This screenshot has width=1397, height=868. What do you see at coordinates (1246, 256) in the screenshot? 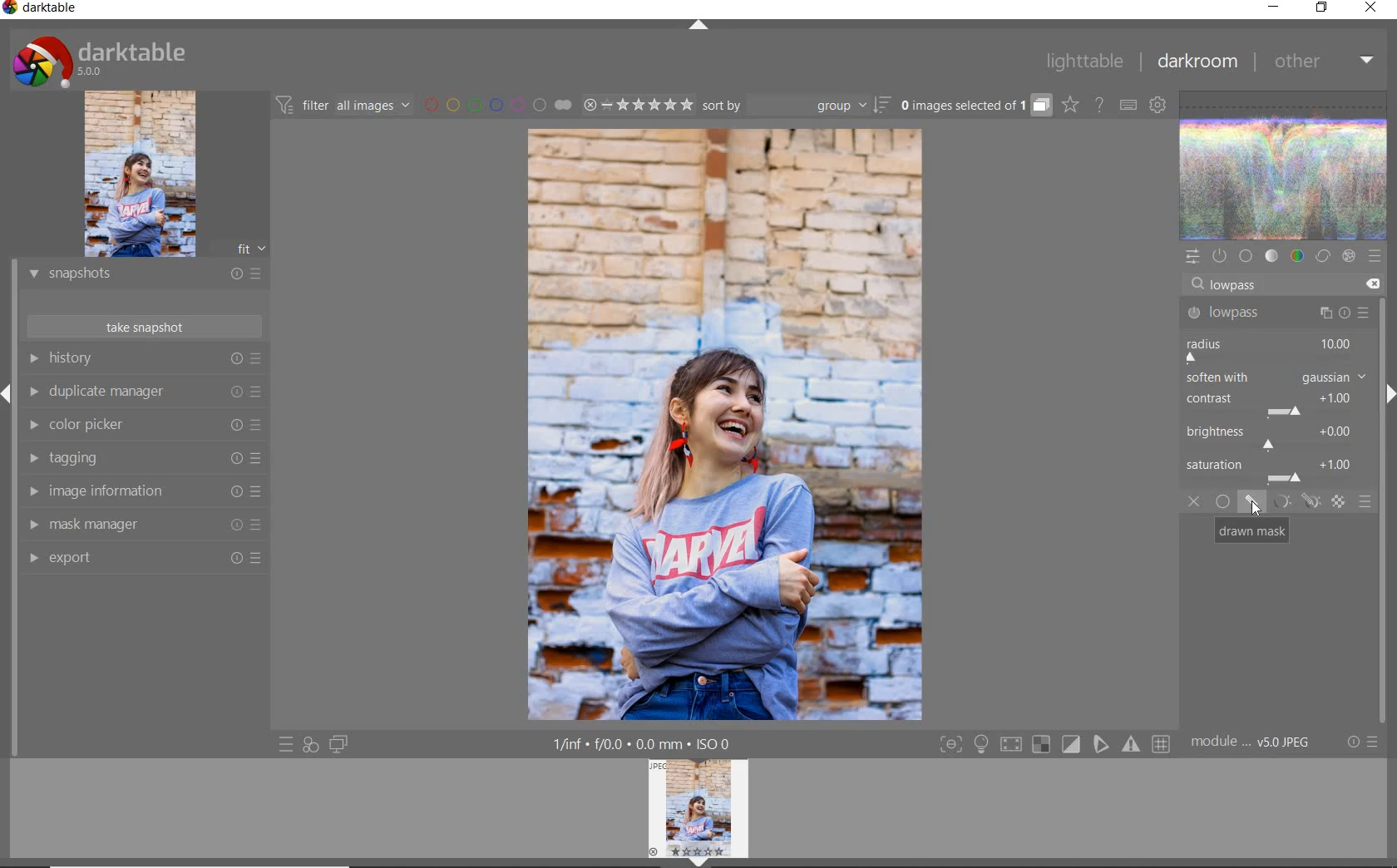
I see `base` at bounding box center [1246, 256].